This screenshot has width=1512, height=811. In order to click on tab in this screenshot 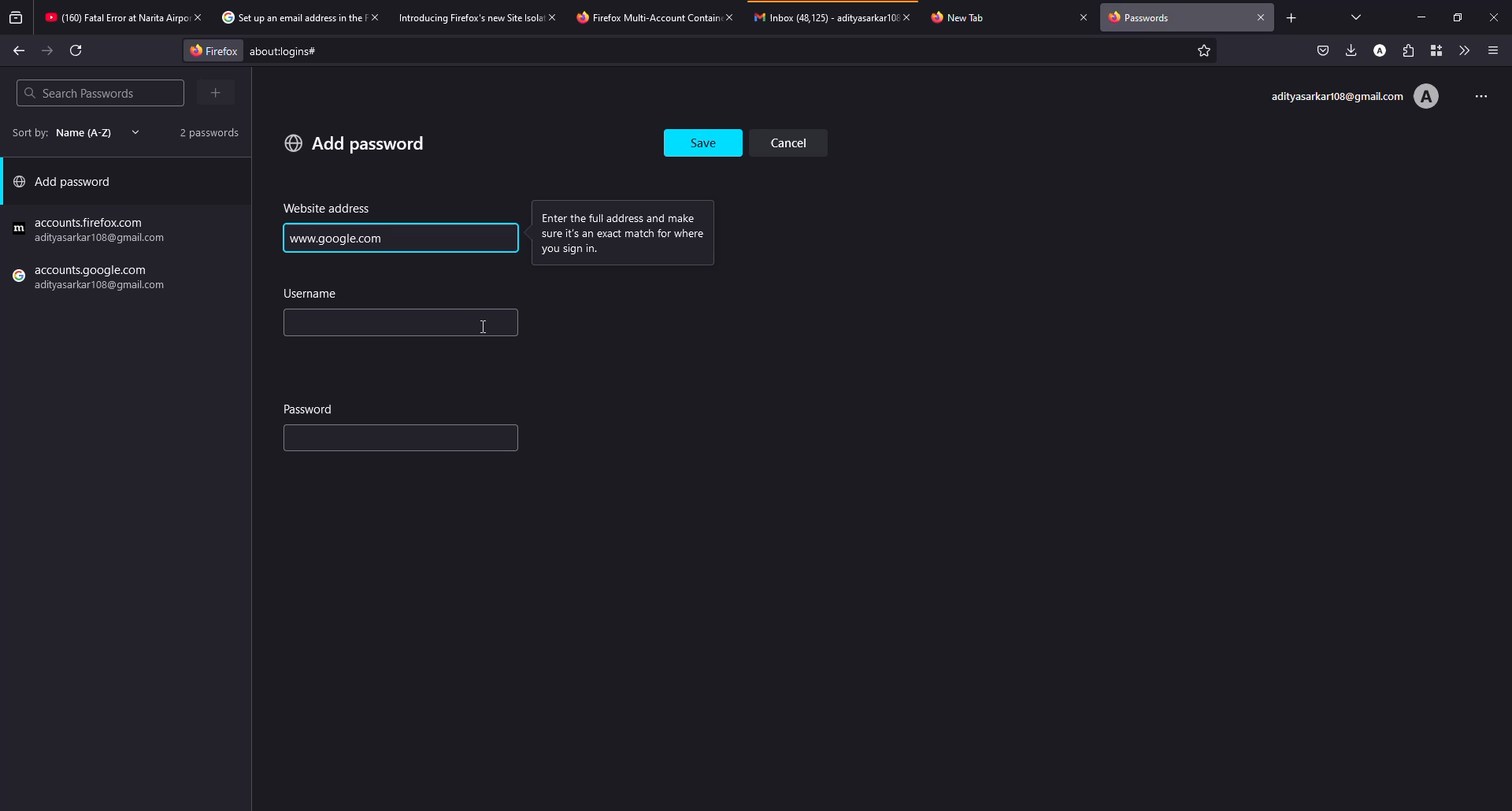, I will do `click(289, 18)`.